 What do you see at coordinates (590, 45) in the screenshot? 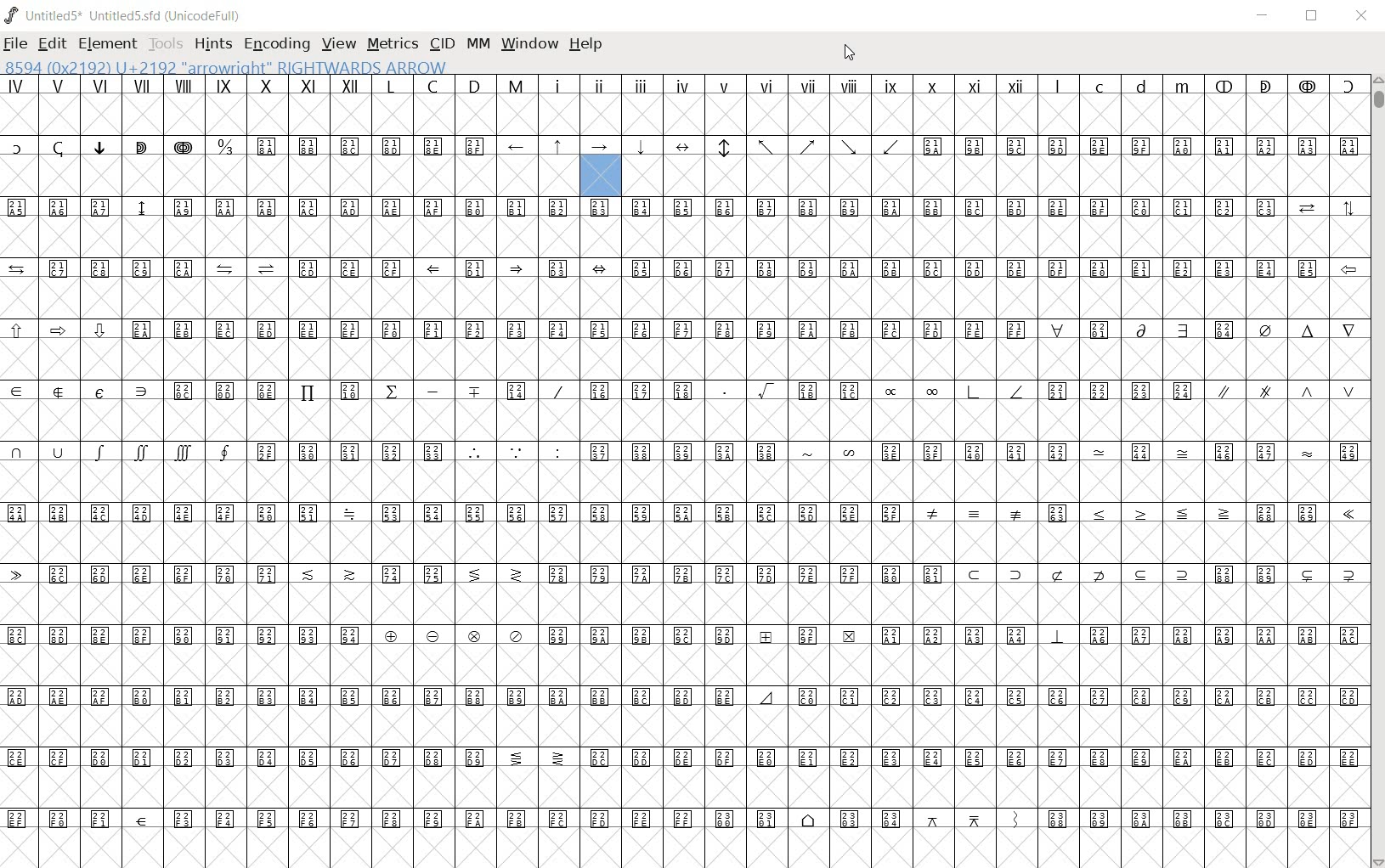
I see `HELP` at bounding box center [590, 45].